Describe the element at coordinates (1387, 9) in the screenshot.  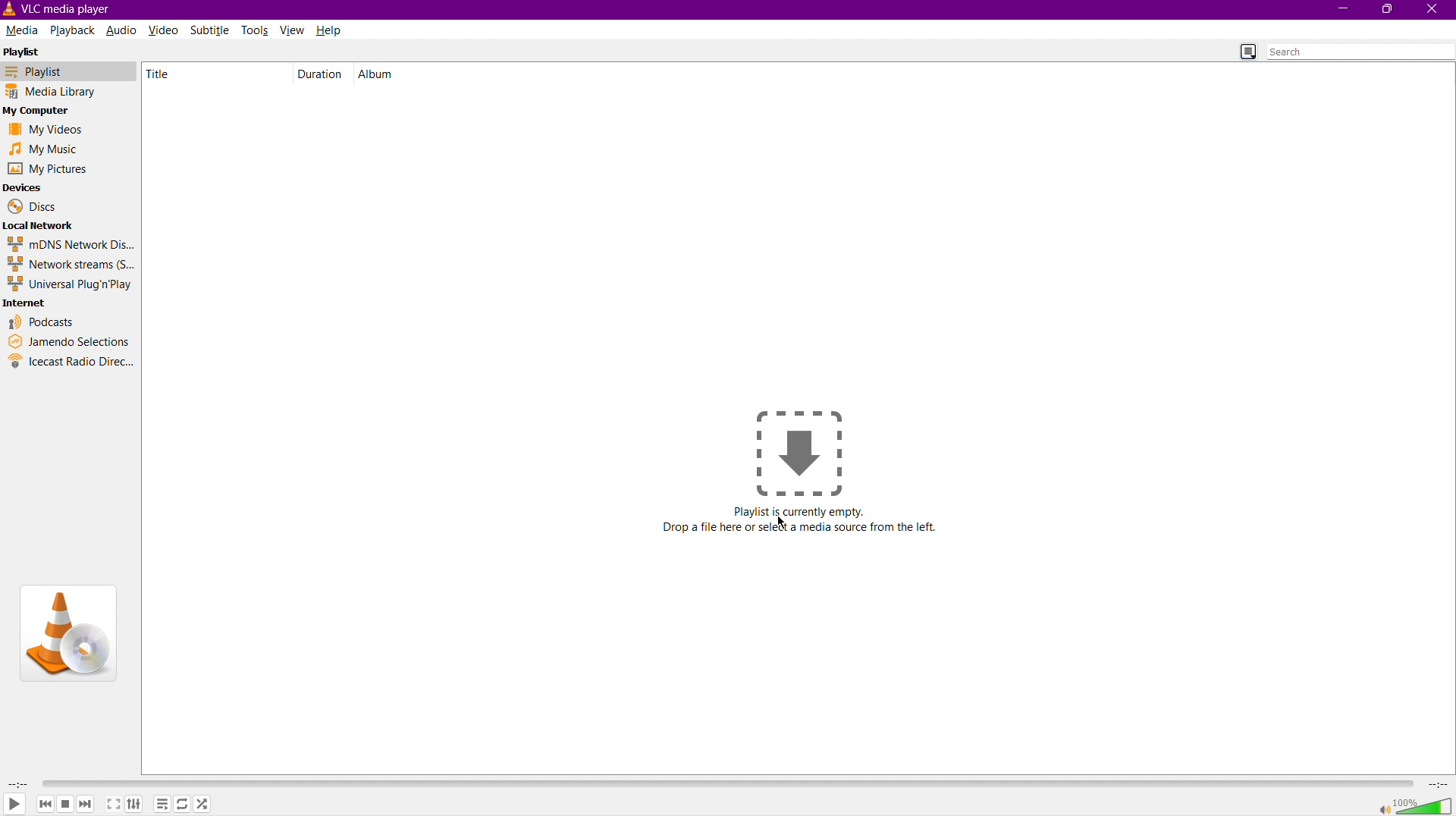
I see `Maximize` at that location.